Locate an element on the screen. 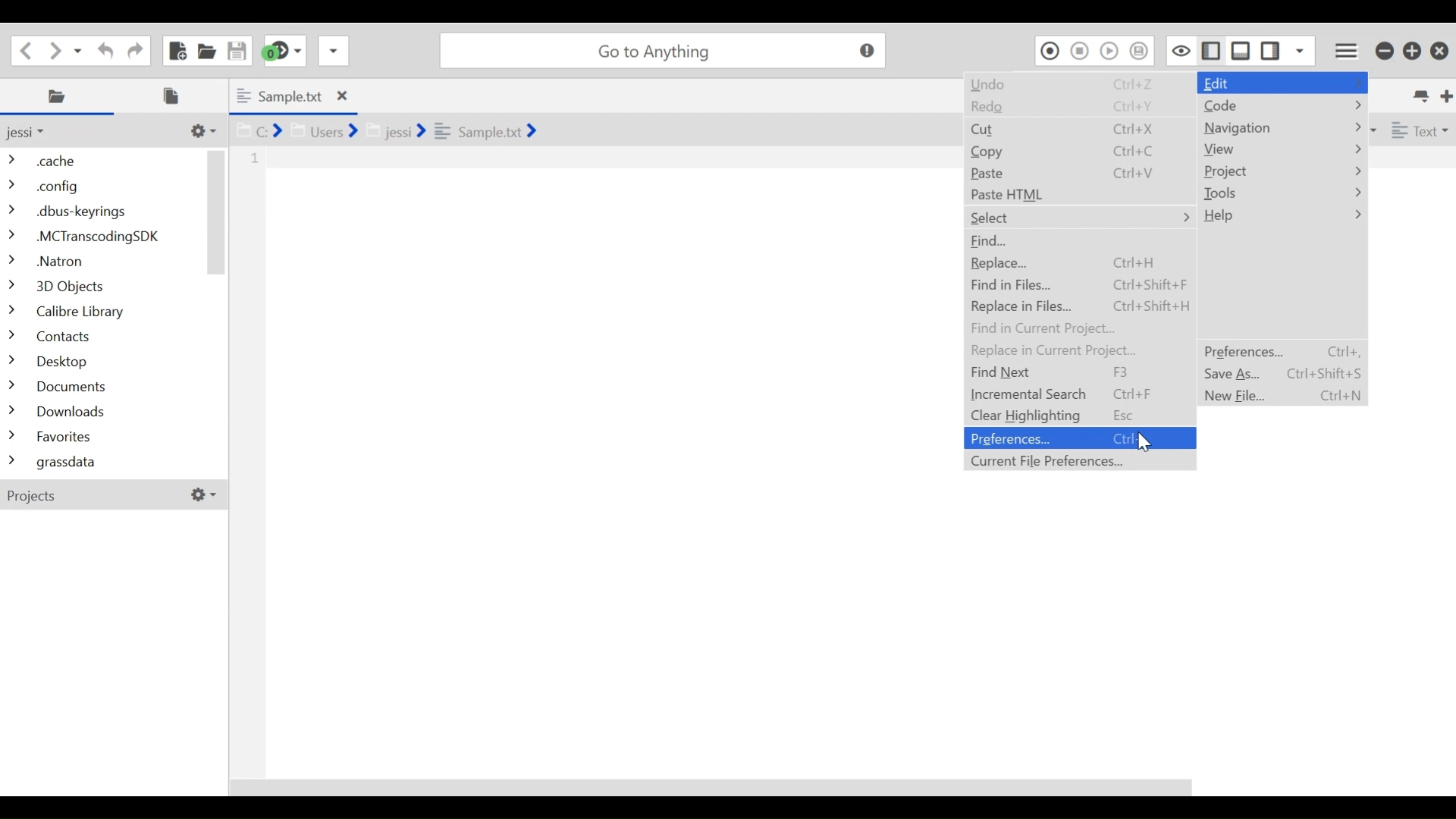 The image size is (1456, 819). minimize is located at coordinates (1384, 51).